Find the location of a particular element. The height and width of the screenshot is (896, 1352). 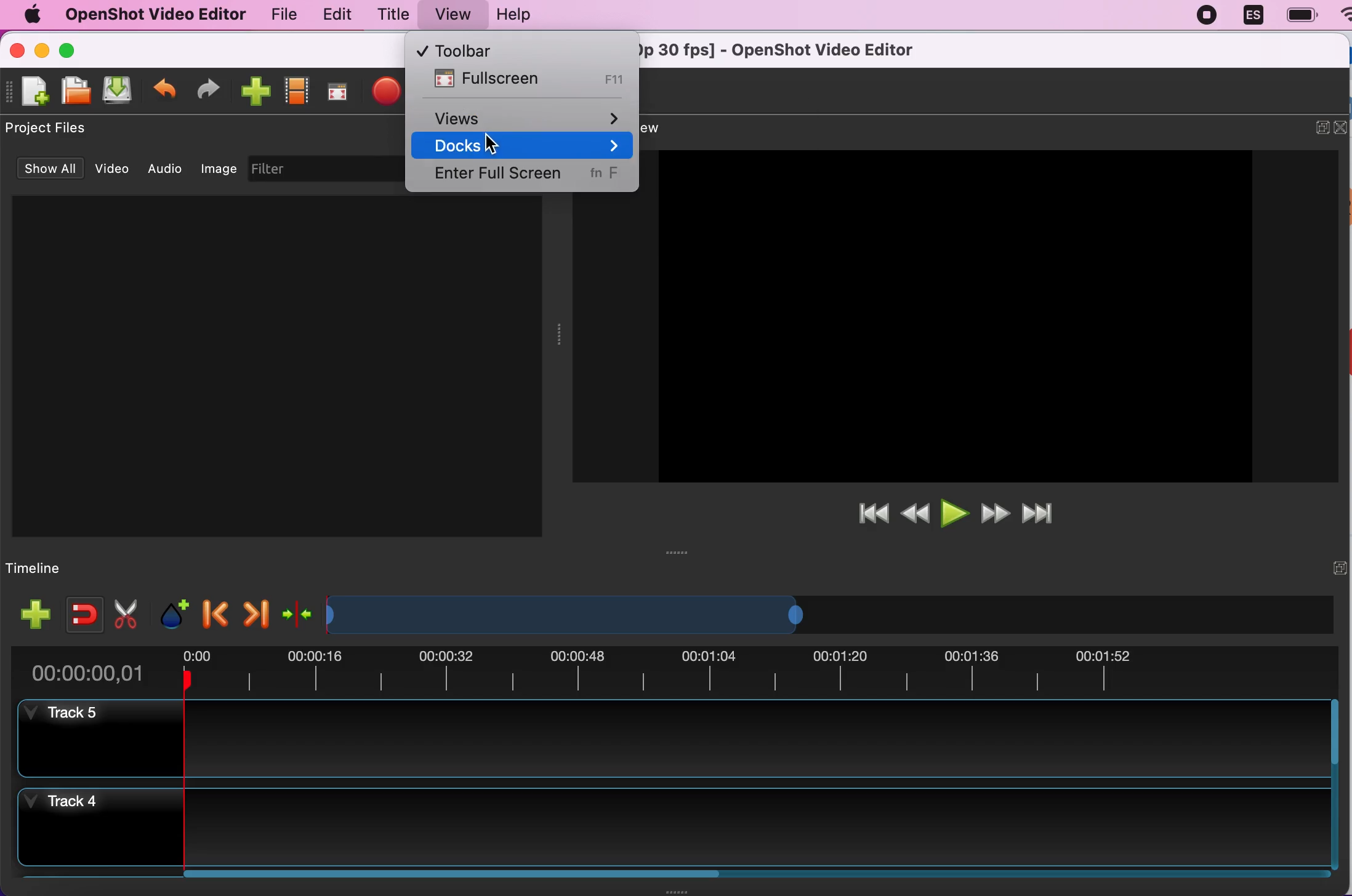

save file is located at coordinates (118, 91).